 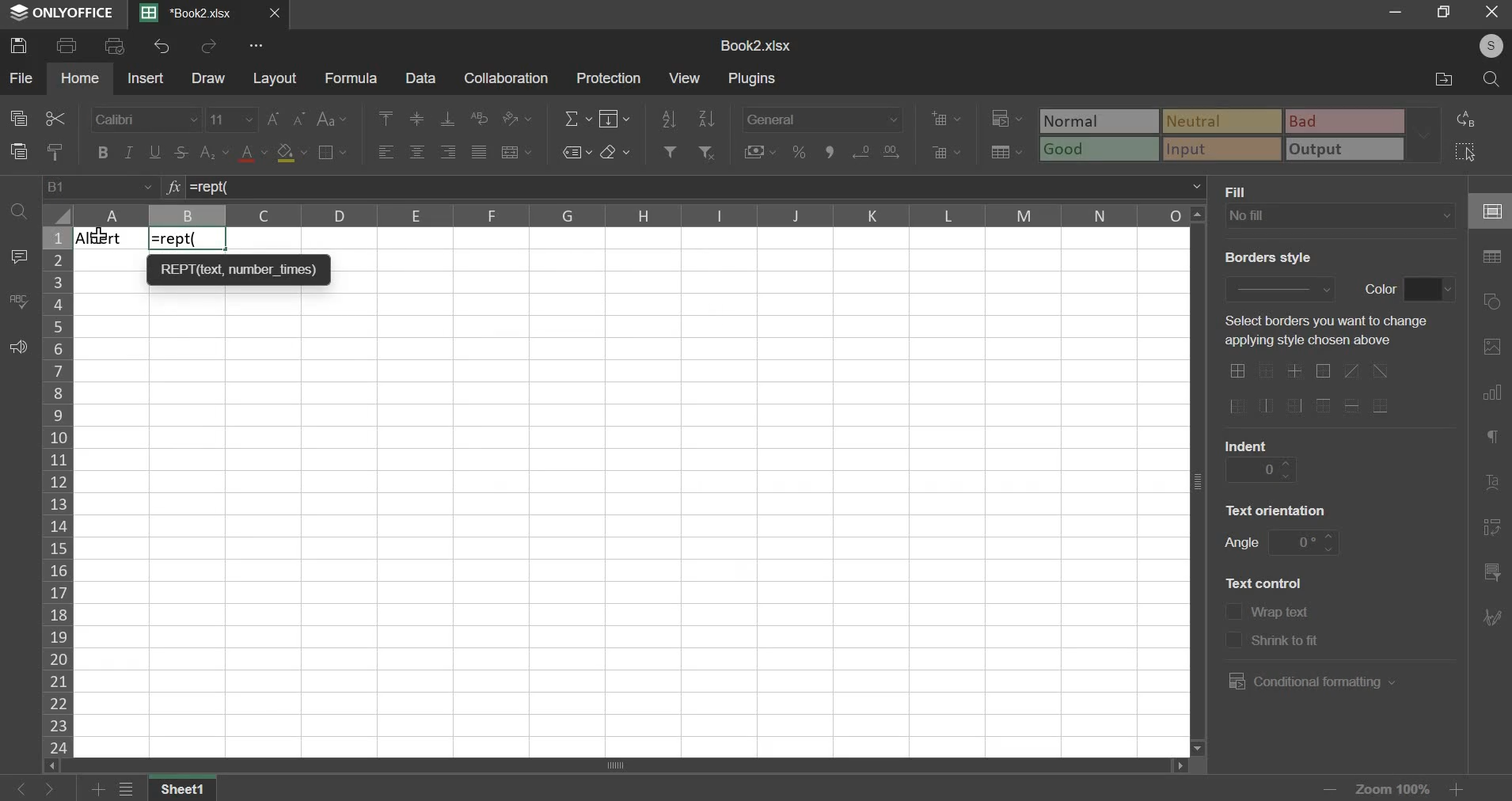 What do you see at coordinates (946, 152) in the screenshot?
I see `delete cells` at bounding box center [946, 152].